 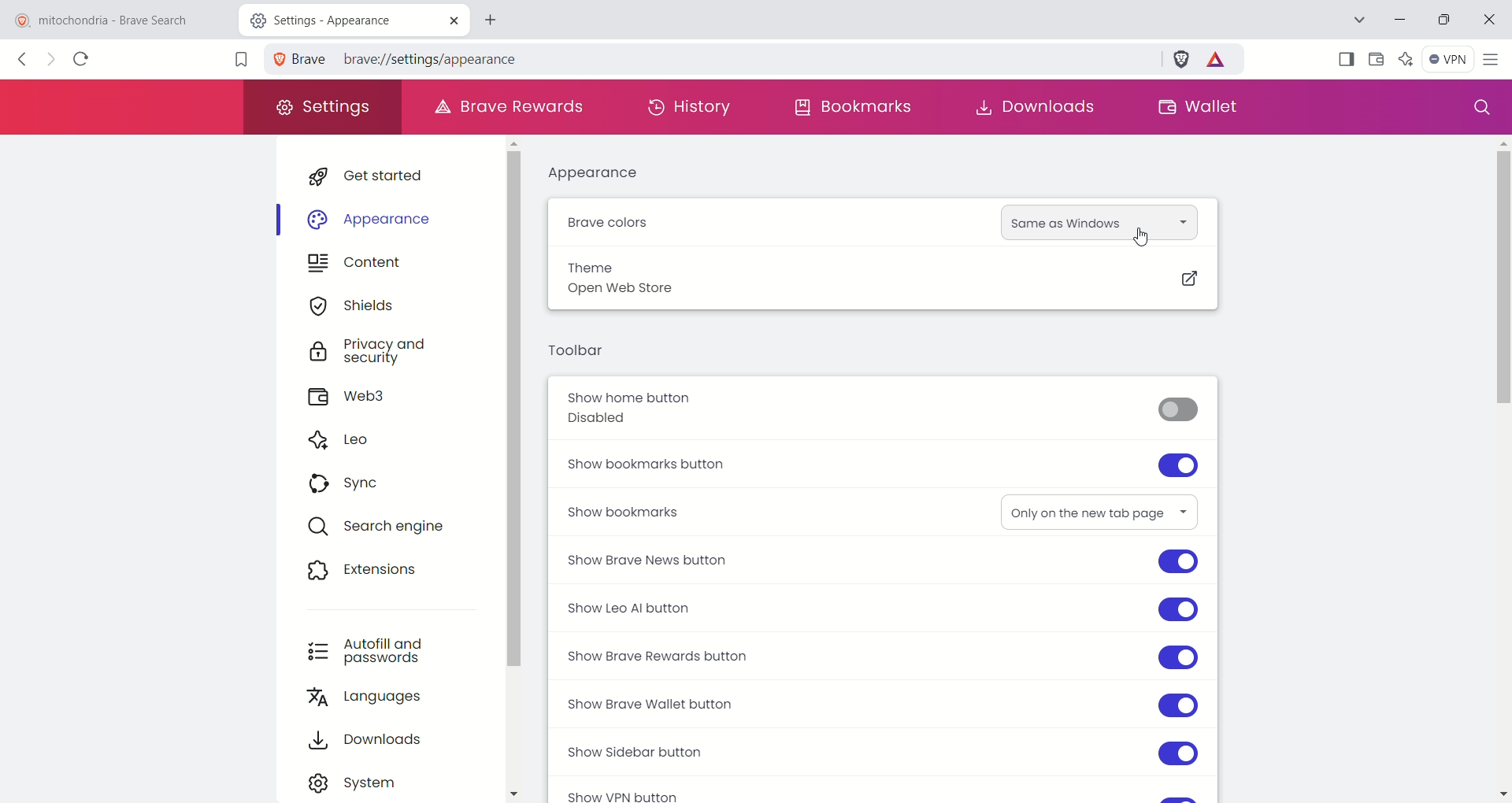 What do you see at coordinates (395, 528) in the screenshot?
I see `search engine` at bounding box center [395, 528].